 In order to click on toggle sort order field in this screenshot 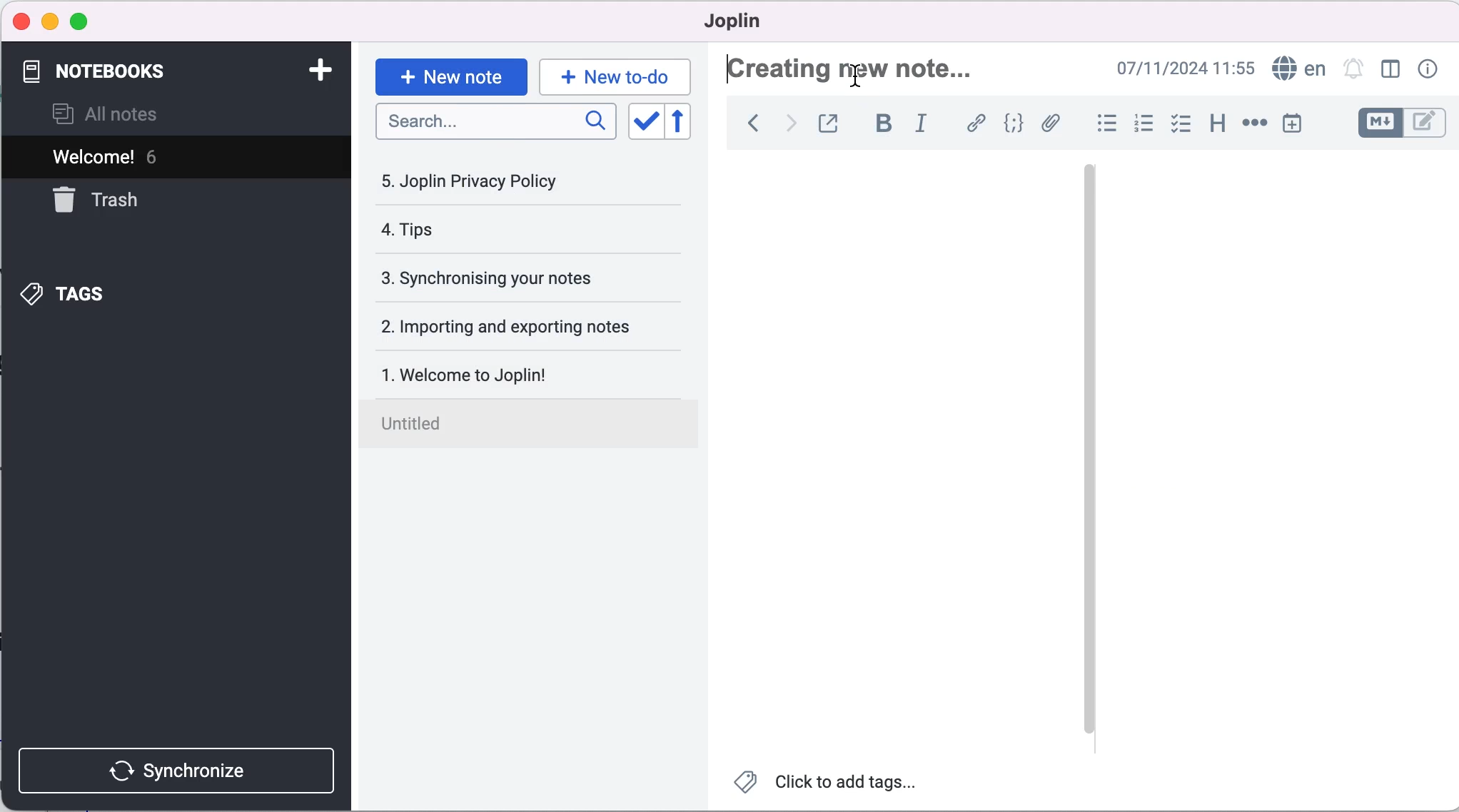, I will do `click(644, 121)`.